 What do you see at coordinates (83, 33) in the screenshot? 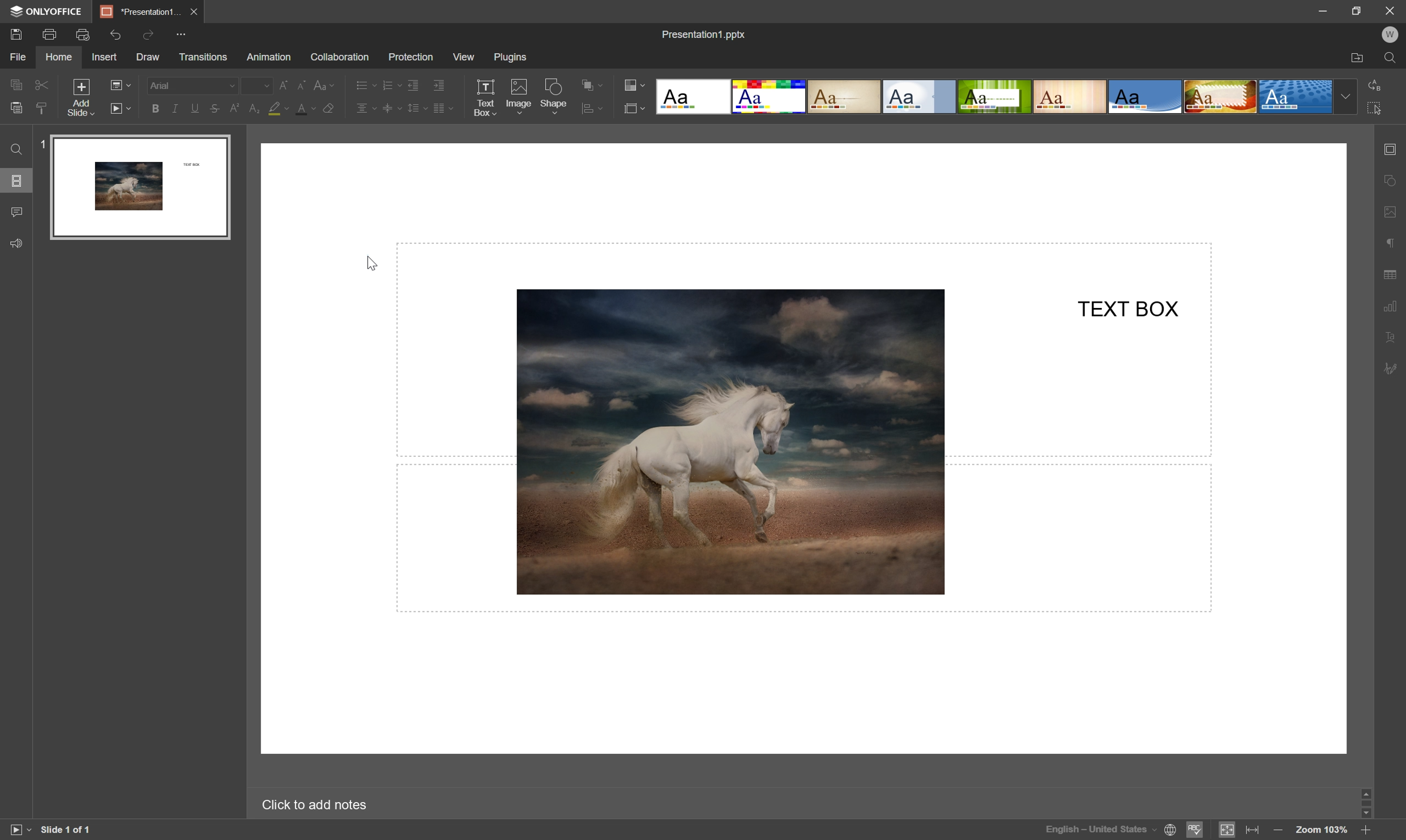
I see `print preview` at bounding box center [83, 33].